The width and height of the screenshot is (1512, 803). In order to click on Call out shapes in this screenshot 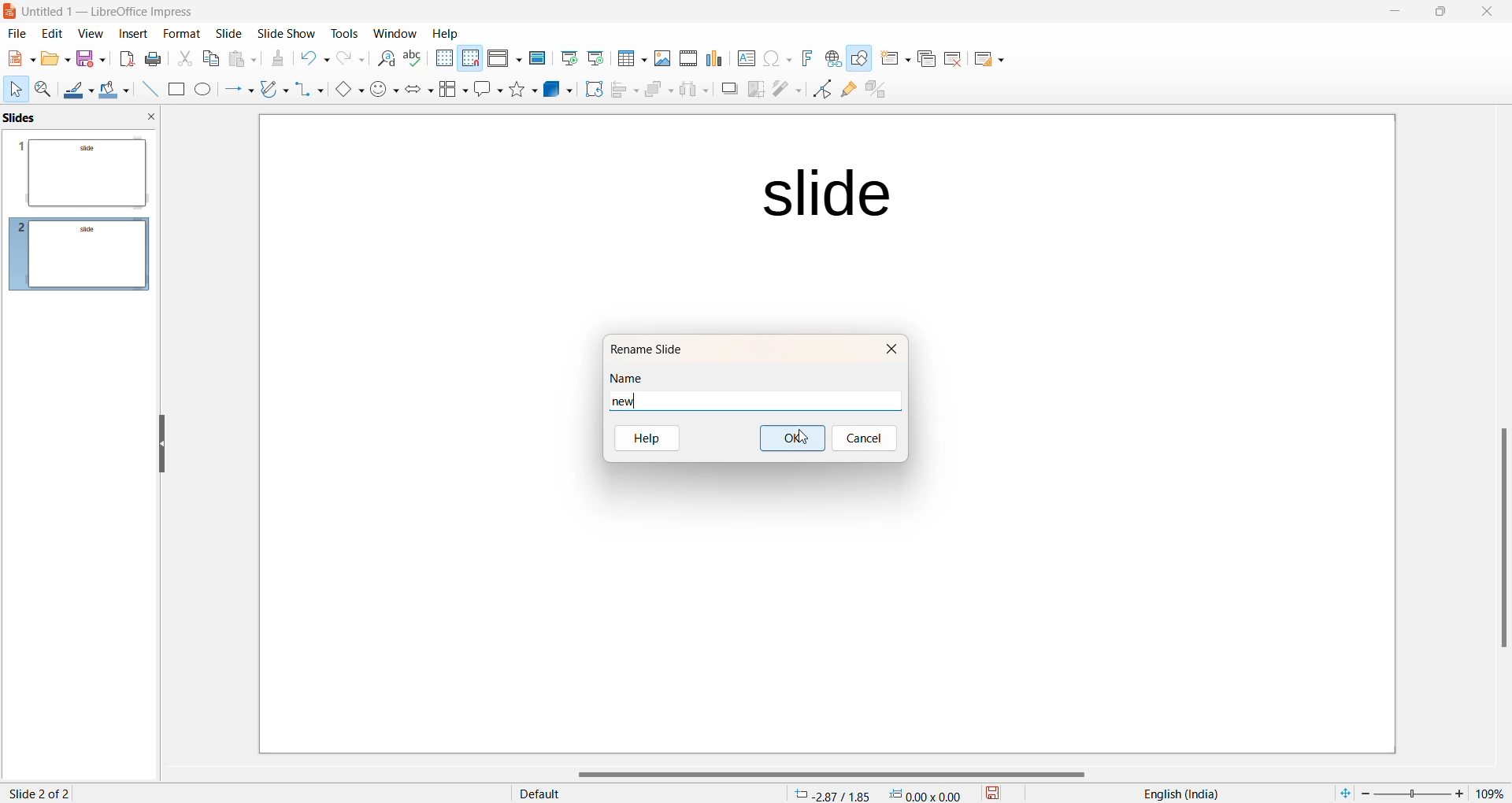, I will do `click(486, 90)`.